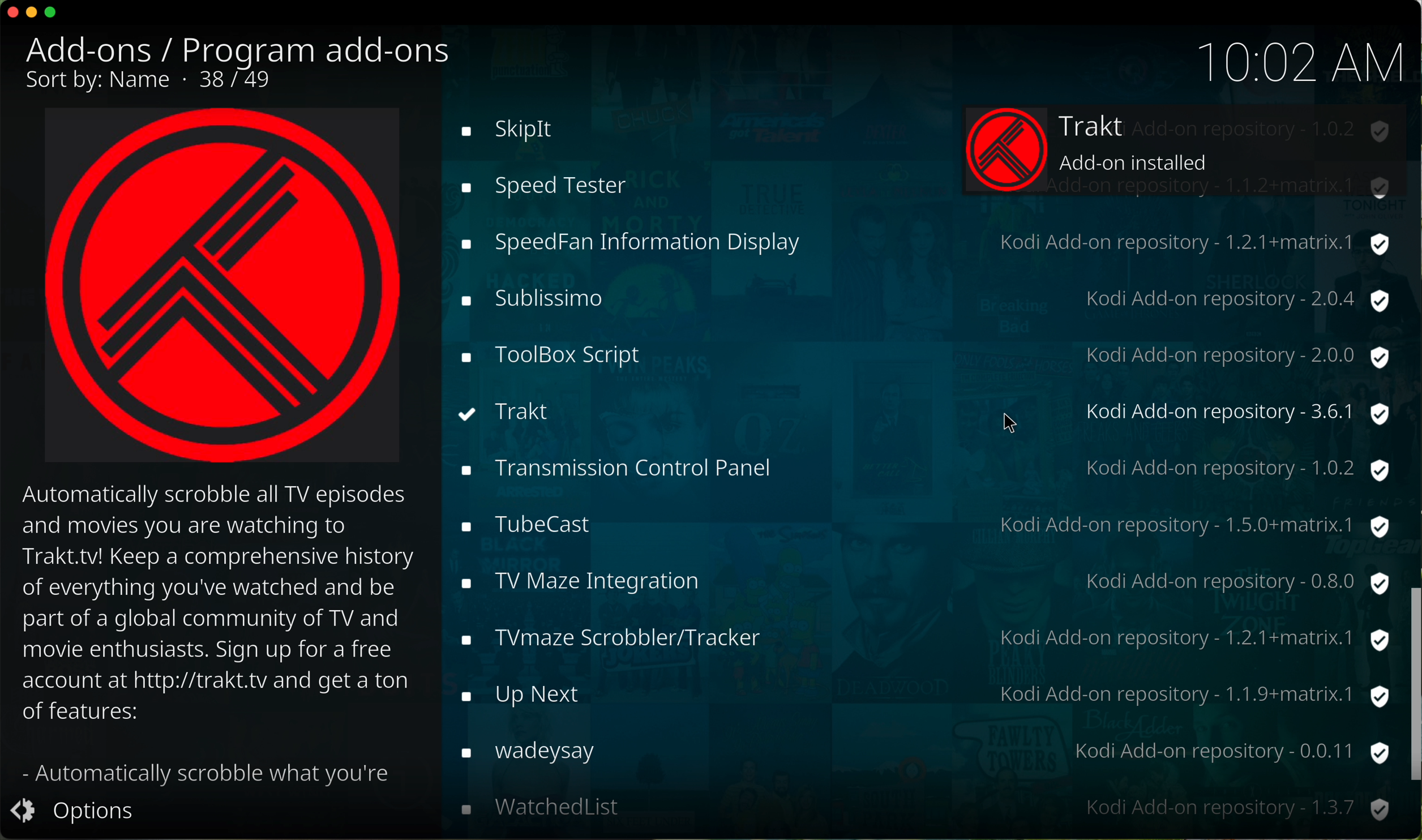 The width and height of the screenshot is (1422, 840). What do you see at coordinates (1010, 423) in the screenshot?
I see `mouse` at bounding box center [1010, 423].